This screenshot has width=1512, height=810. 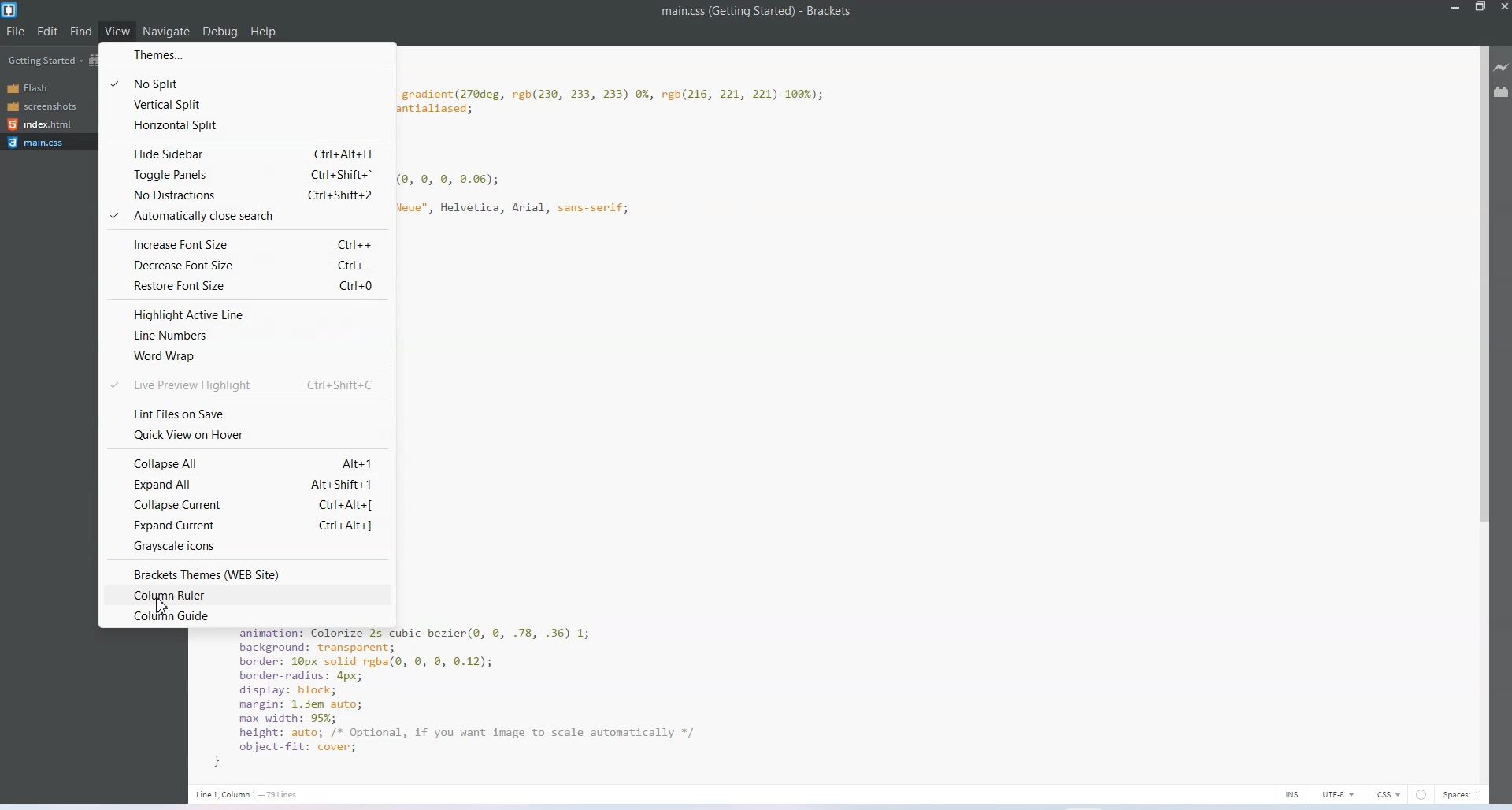 I want to click on CSS, so click(x=1389, y=793).